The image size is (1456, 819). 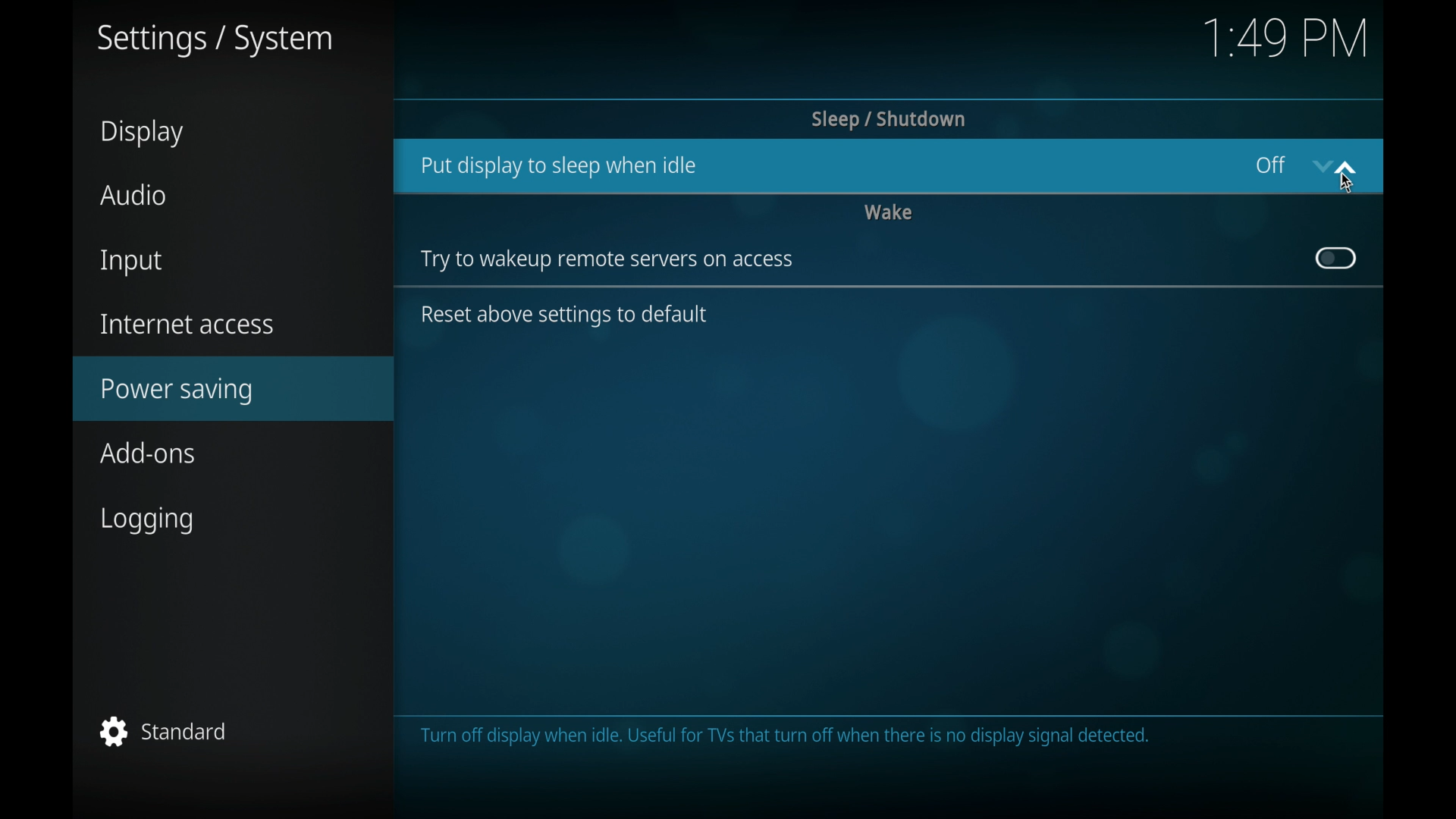 I want to click on logging, so click(x=146, y=521).